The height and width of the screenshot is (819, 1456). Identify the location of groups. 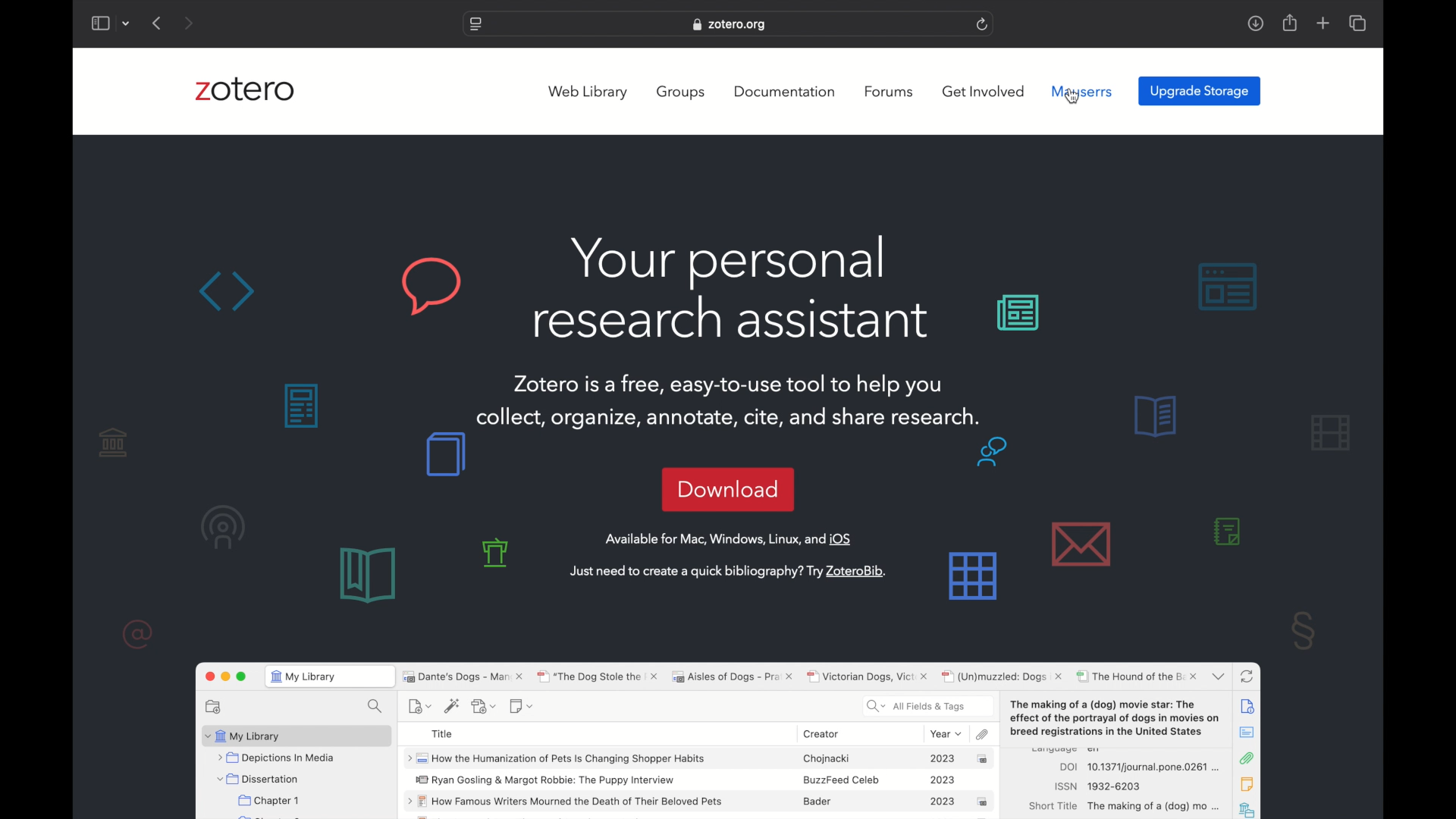
(682, 93).